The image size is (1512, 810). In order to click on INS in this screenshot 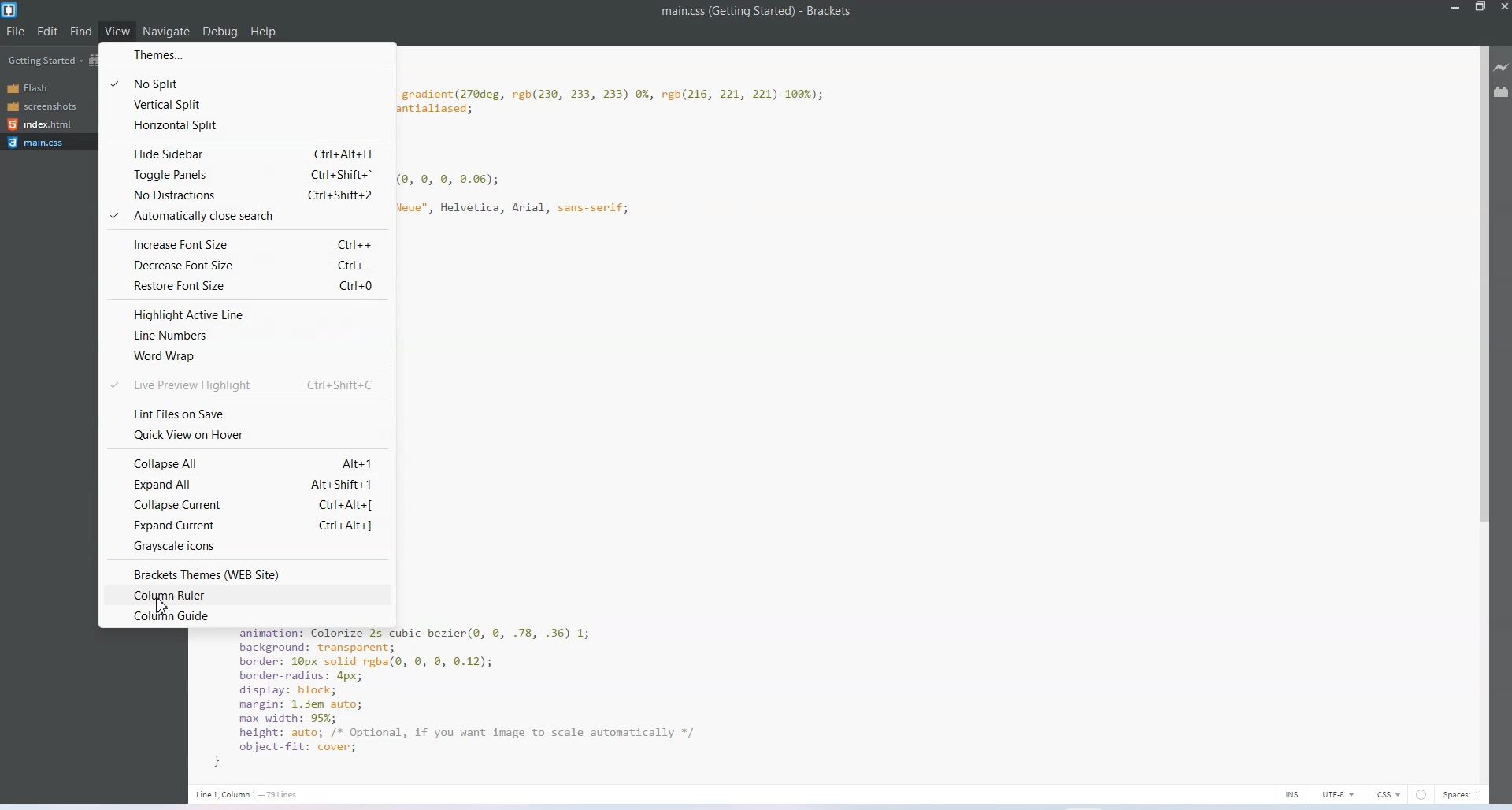, I will do `click(1292, 794)`.